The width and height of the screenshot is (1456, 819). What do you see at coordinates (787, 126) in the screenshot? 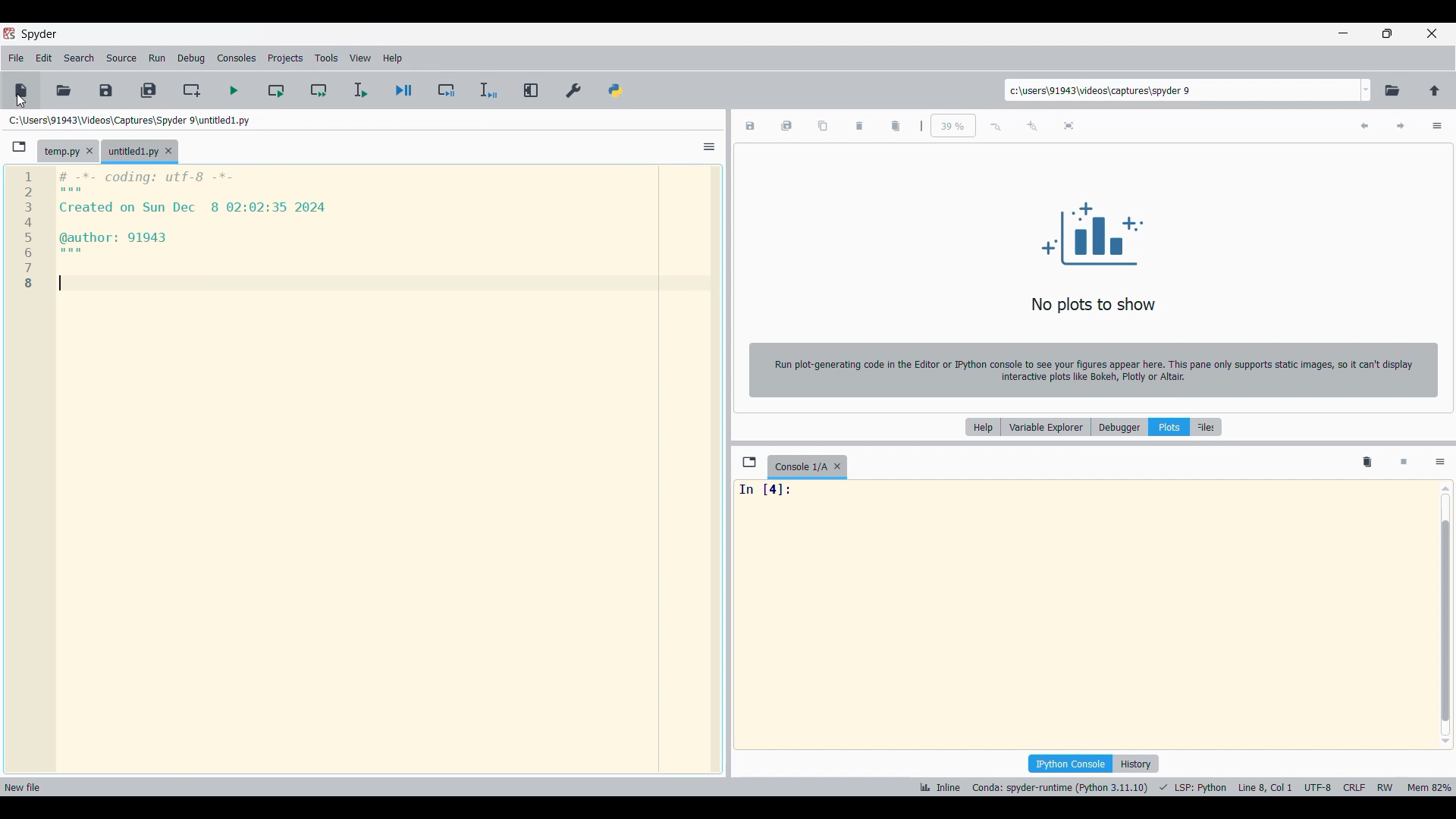
I see `Save all plots` at bounding box center [787, 126].